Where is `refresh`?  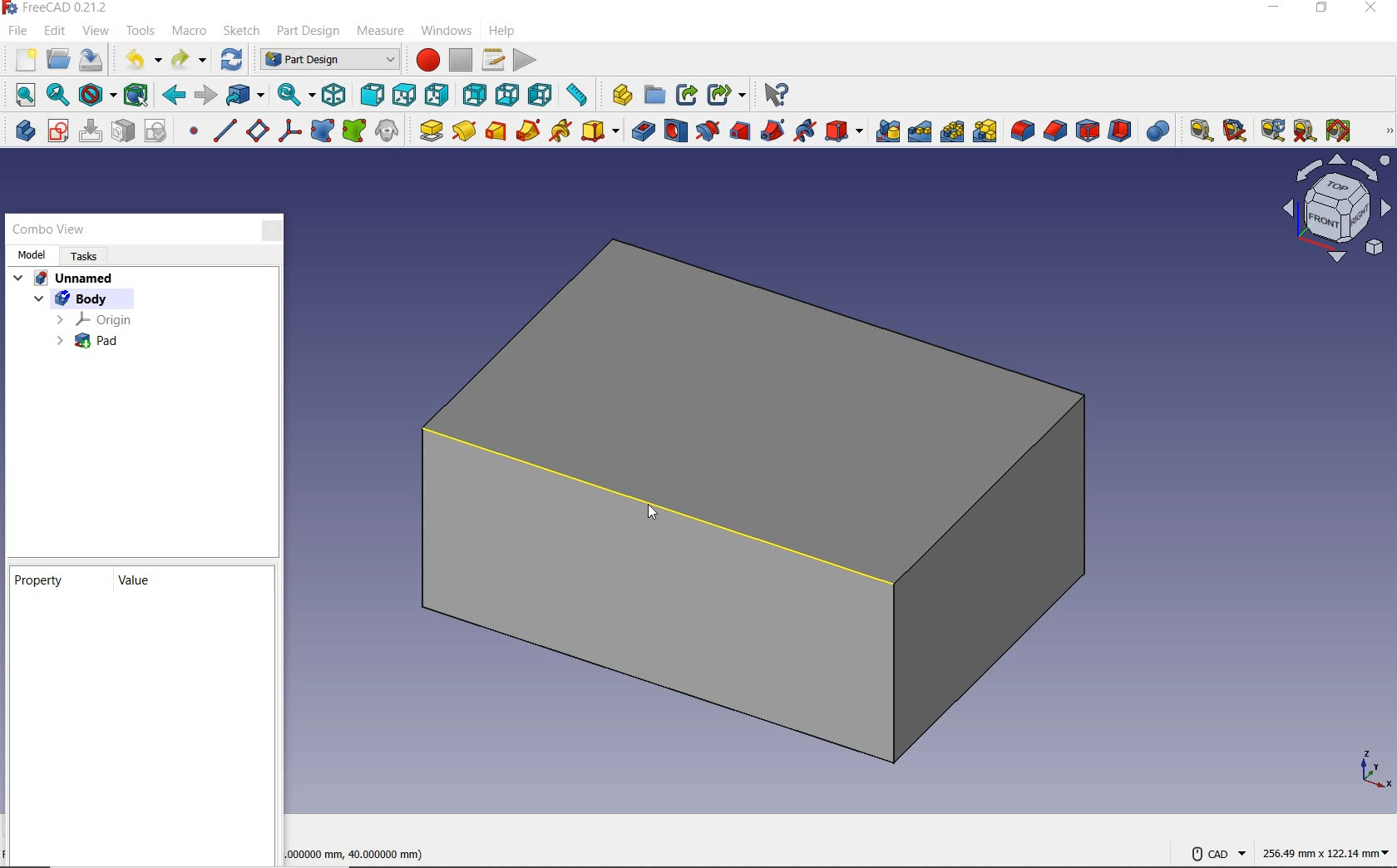
refresh is located at coordinates (232, 59).